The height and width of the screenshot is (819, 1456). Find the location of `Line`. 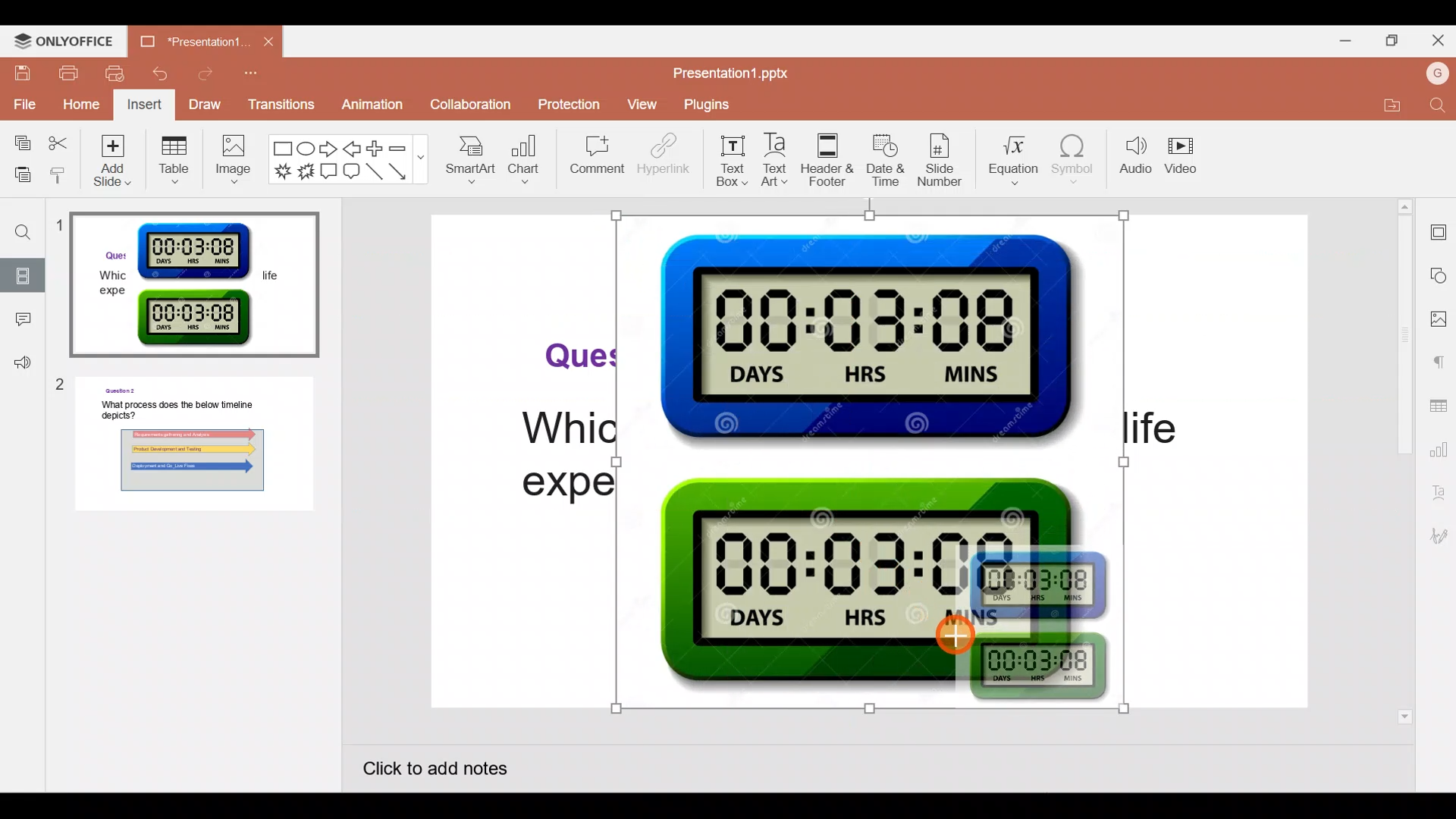

Line is located at coordinates (374, 172).